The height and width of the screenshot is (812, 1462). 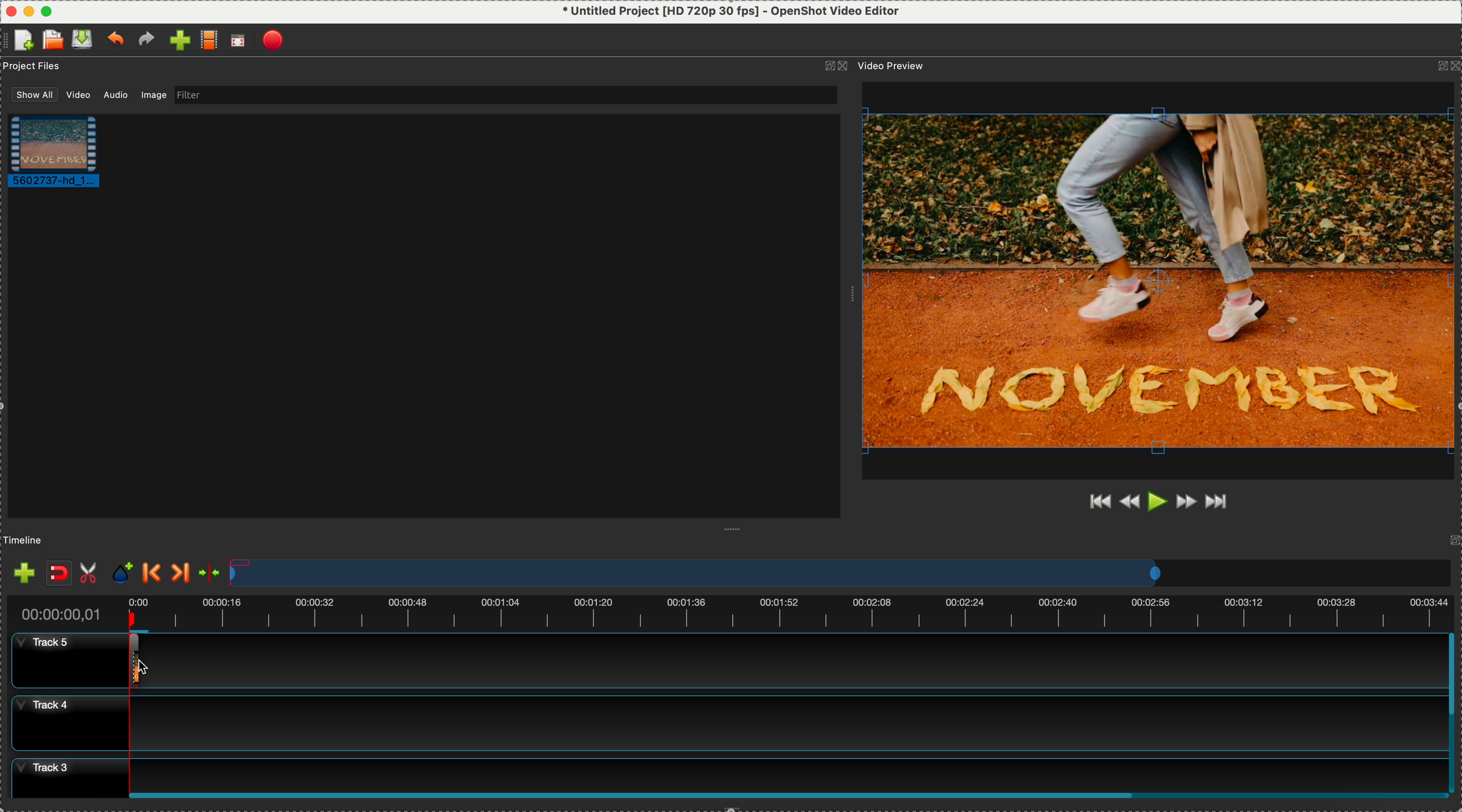 What do you see at coordinates (733, 529) in the screenshot?
I see `Window Expanding` at bounding box center [733, 529].